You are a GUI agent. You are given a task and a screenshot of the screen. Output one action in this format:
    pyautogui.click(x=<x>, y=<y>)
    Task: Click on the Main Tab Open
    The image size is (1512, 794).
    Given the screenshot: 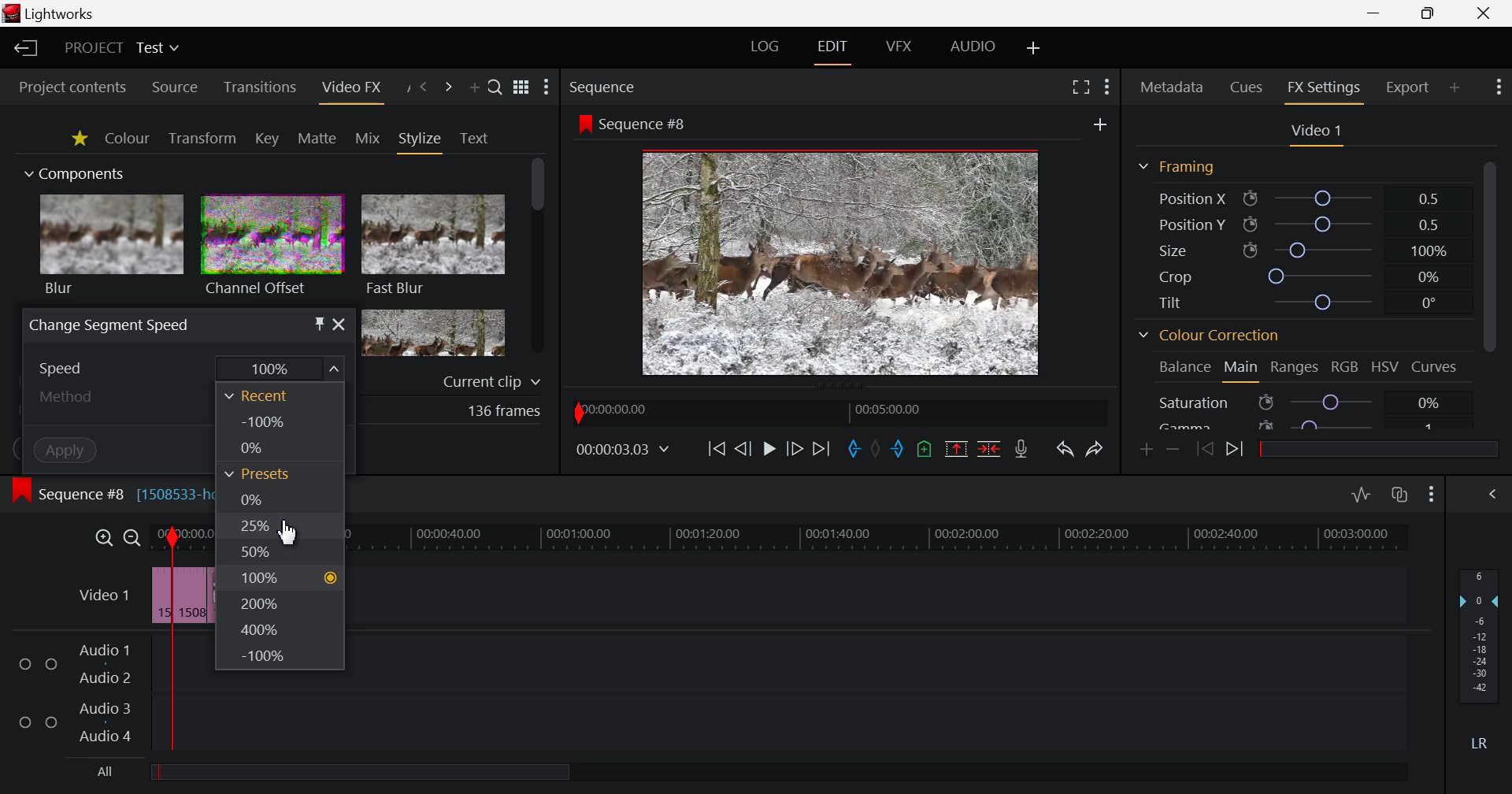 What is the action you would take?
    pyautogui.click(x=1240, y=369)
    